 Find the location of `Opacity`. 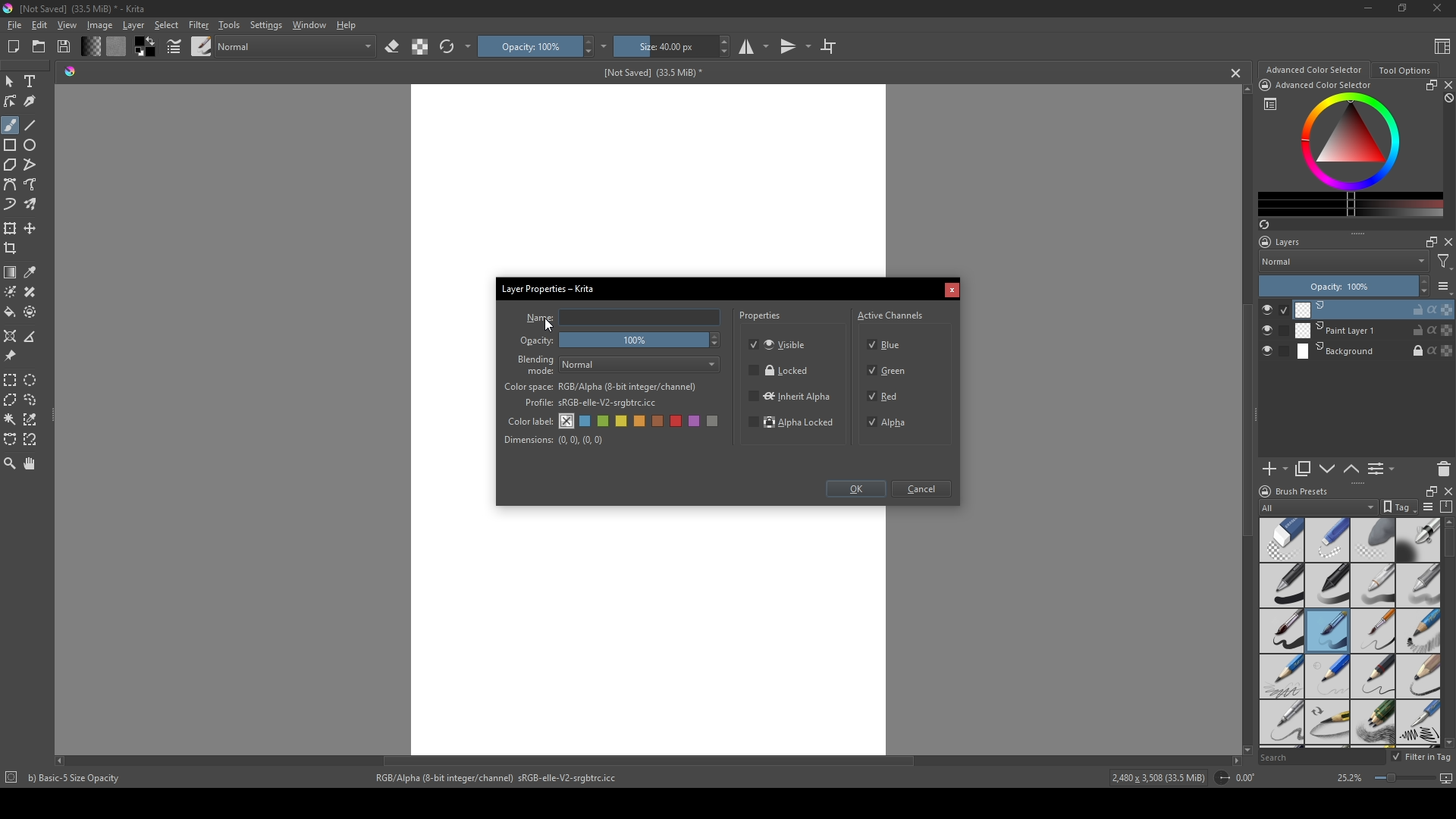

Opacity is located at coordinates (538, 341).